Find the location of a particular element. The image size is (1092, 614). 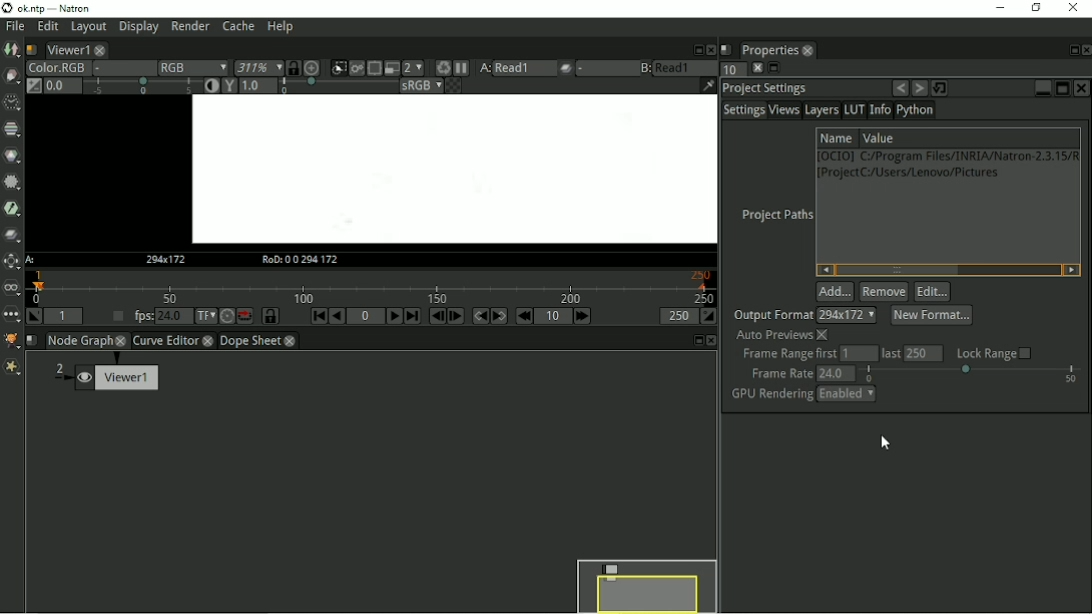

Gain is located at coordinates (63, 86).